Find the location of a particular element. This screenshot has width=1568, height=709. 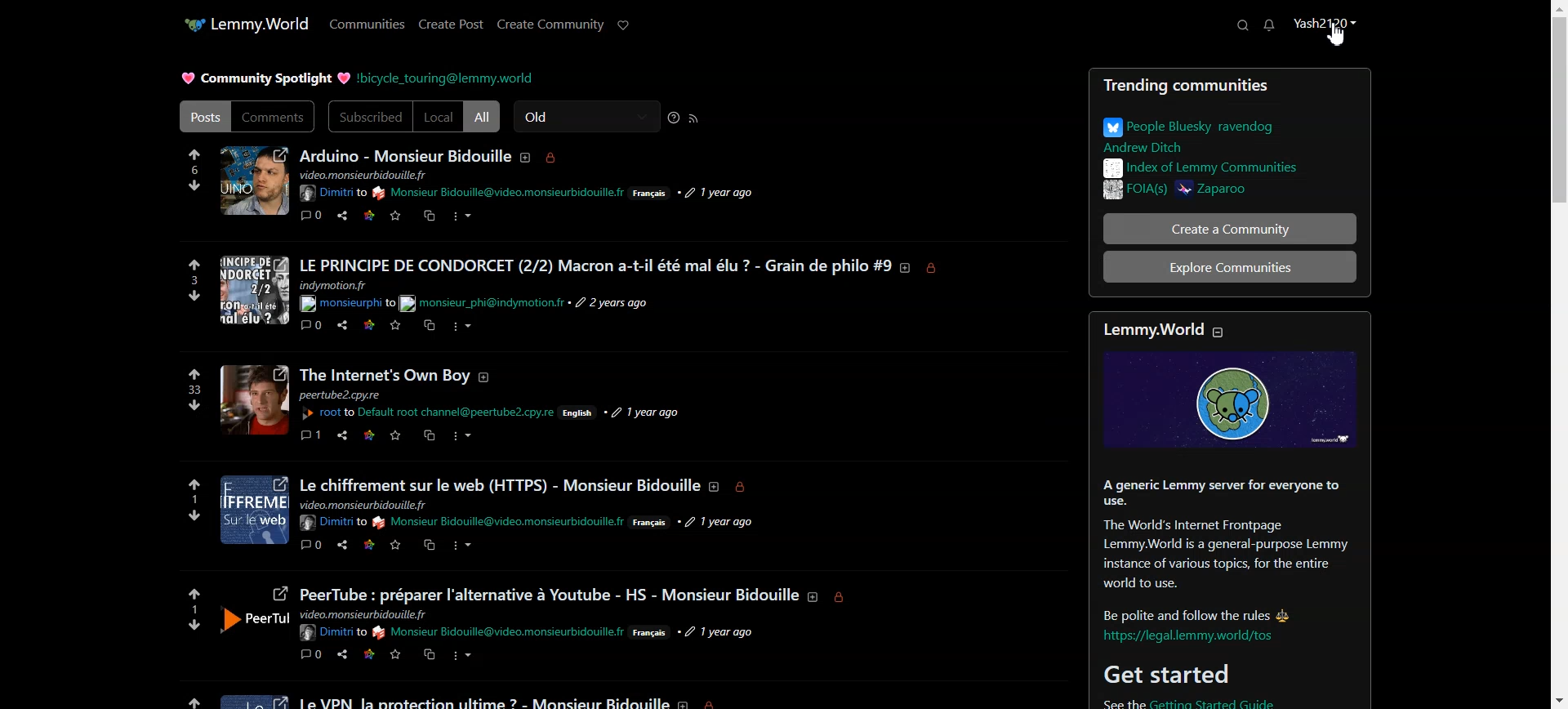

FOIA(s) is located at coordinates (1130, 190).